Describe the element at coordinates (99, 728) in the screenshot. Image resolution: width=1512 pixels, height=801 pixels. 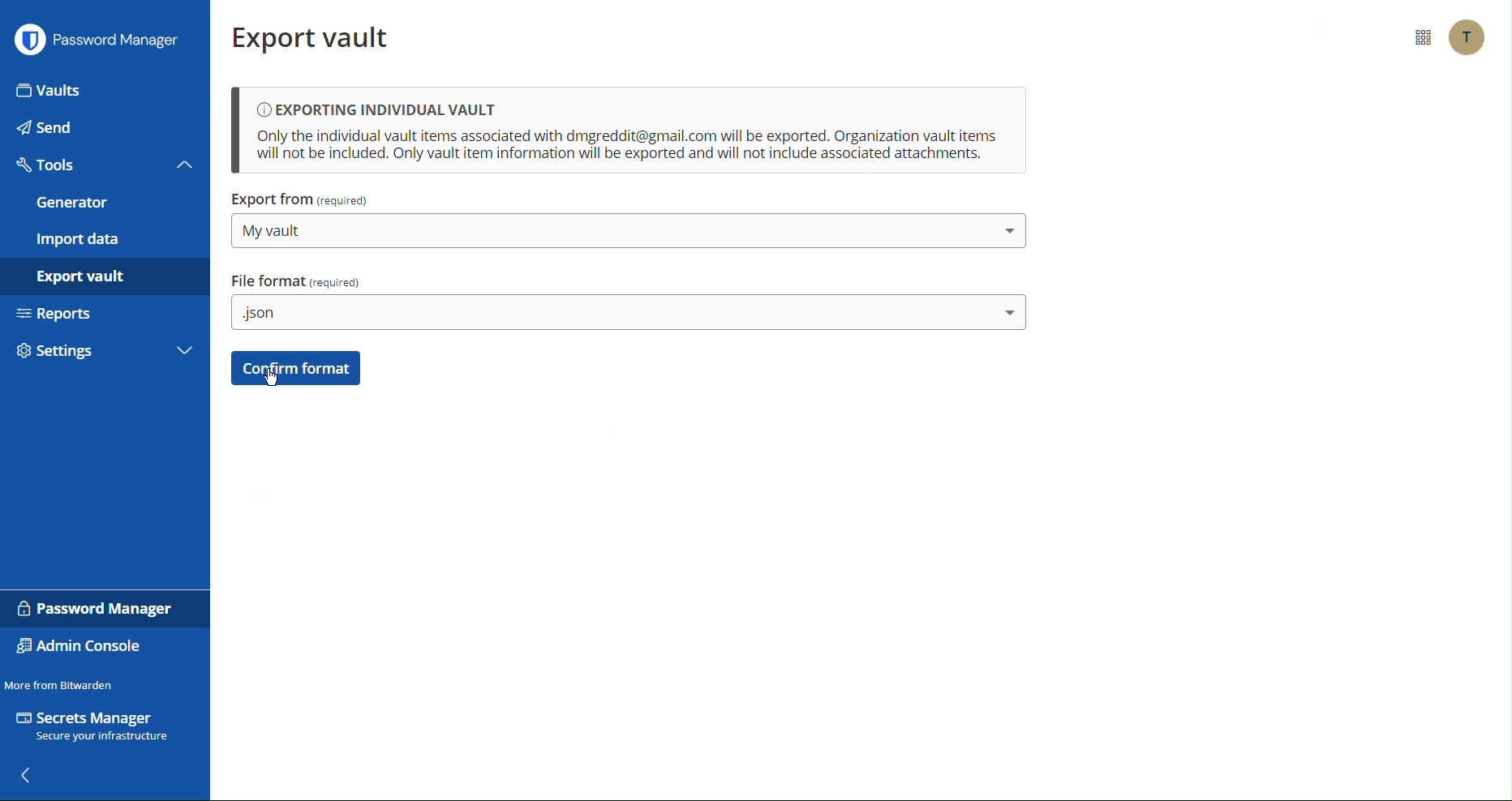
I see `Secrets Manager ` at that location.